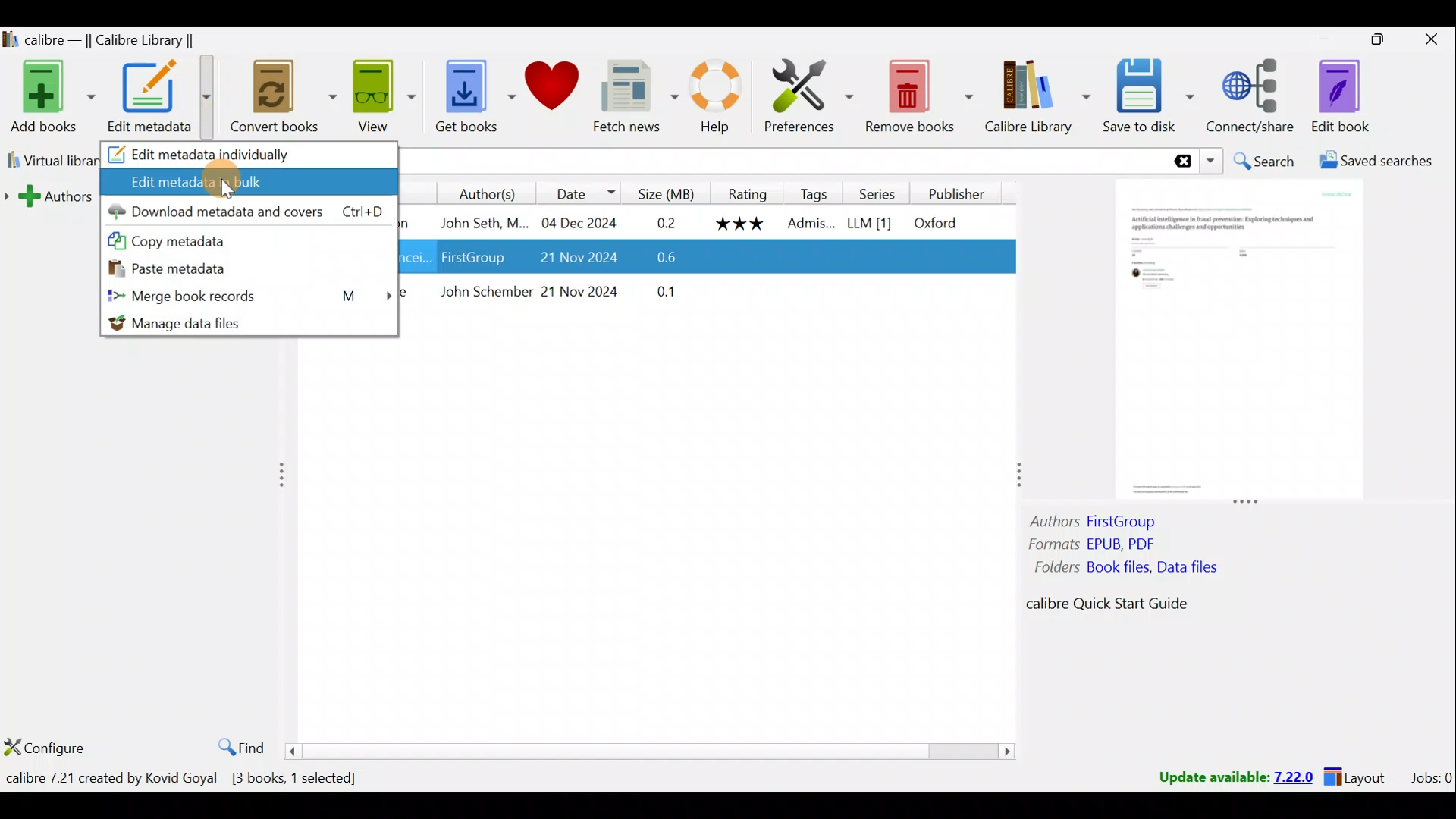 The image size is (1456, 819). What do you see at coordinates (372, 99) in the screenshot?
I see `View` at bounding box center [372, 99].